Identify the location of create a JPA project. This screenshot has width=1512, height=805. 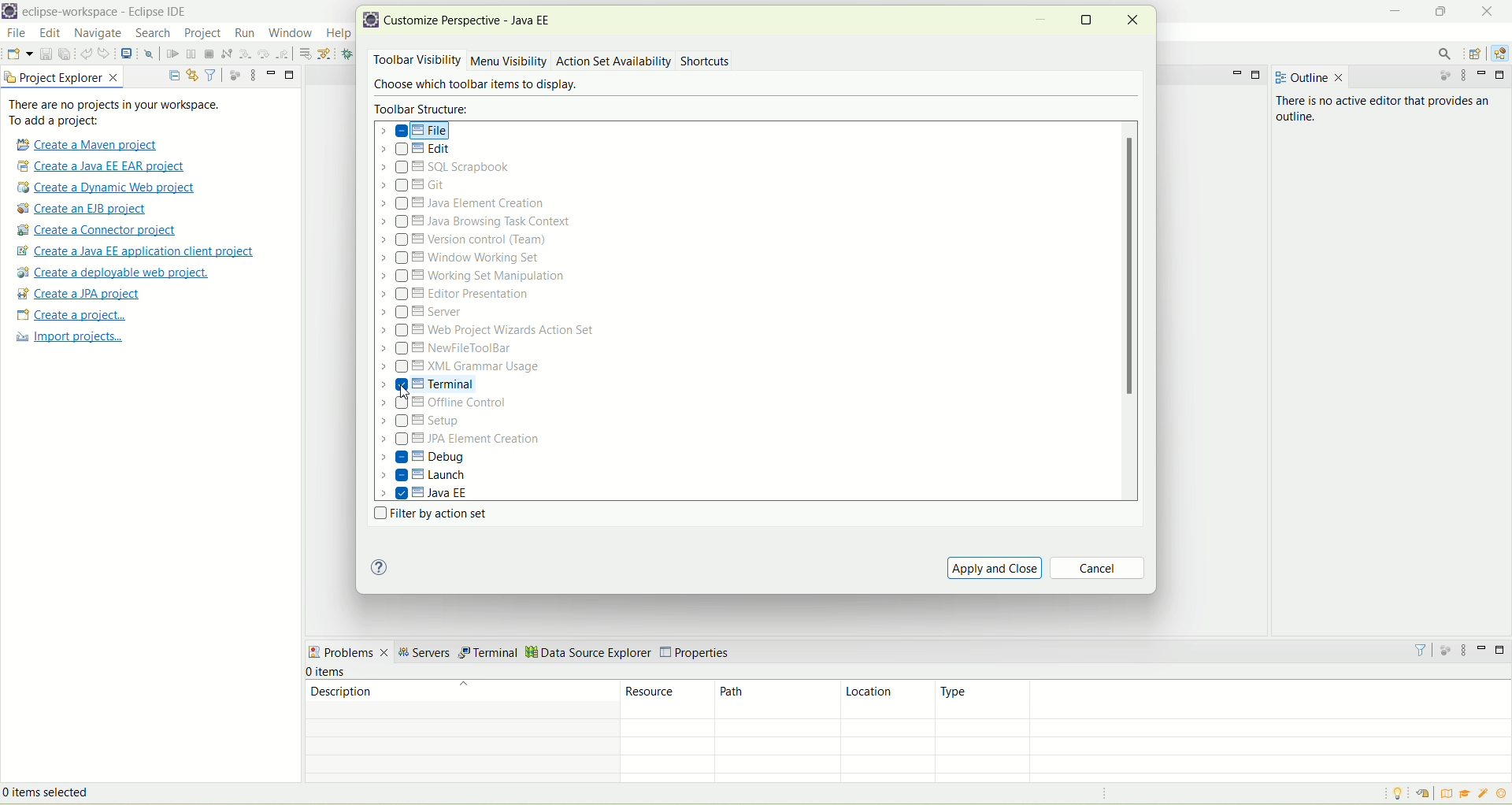
(80, 294).